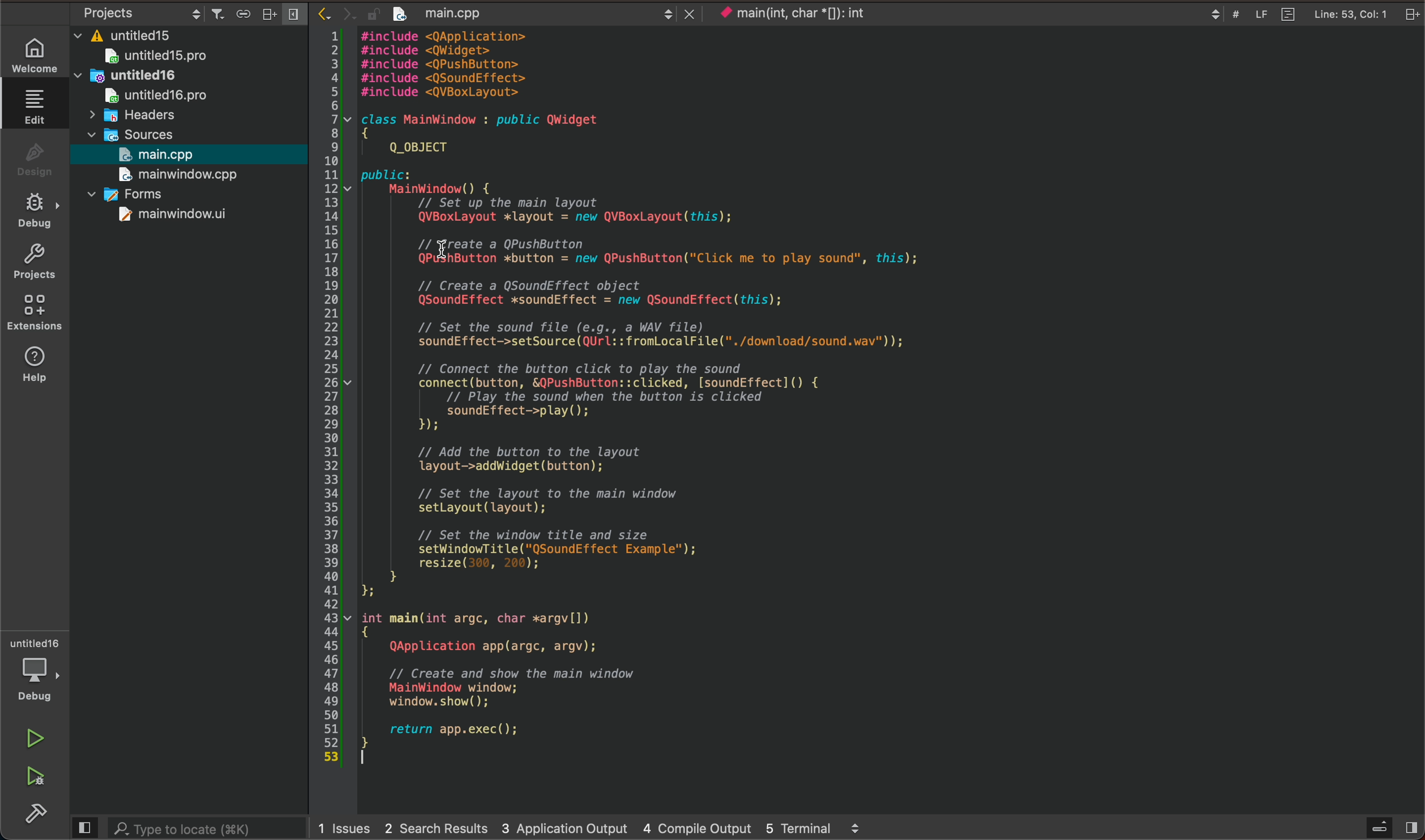 Image resolution: width=1425 pixels, height=840 pixels. Describe the element at coordinates (486, 11) in the screenshot. I see `after save` at that location.